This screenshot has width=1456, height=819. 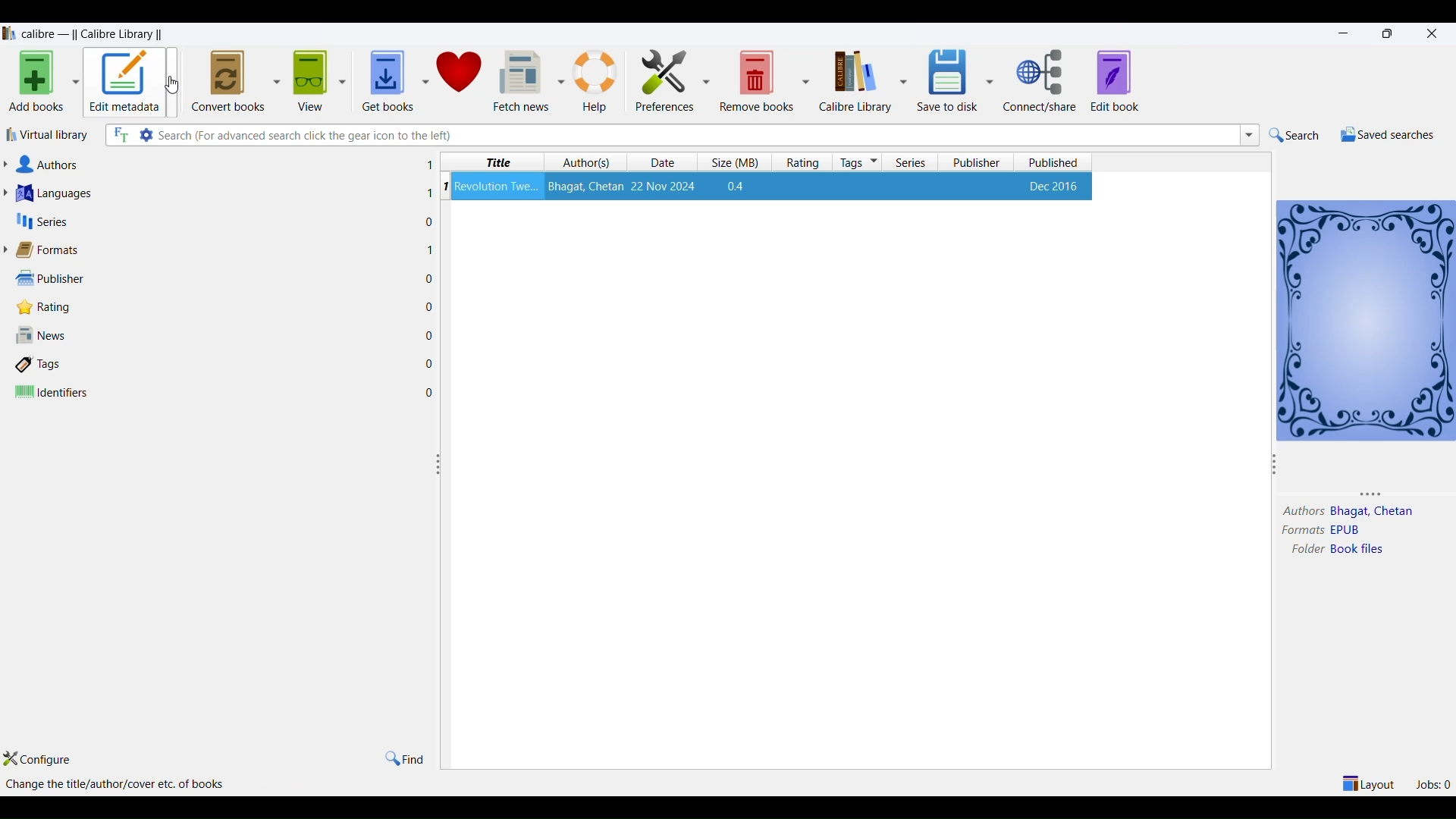 What do you see at coordinates (1055, 162) in the screenshot?
I see `published` at bounding box center [1055, 162].